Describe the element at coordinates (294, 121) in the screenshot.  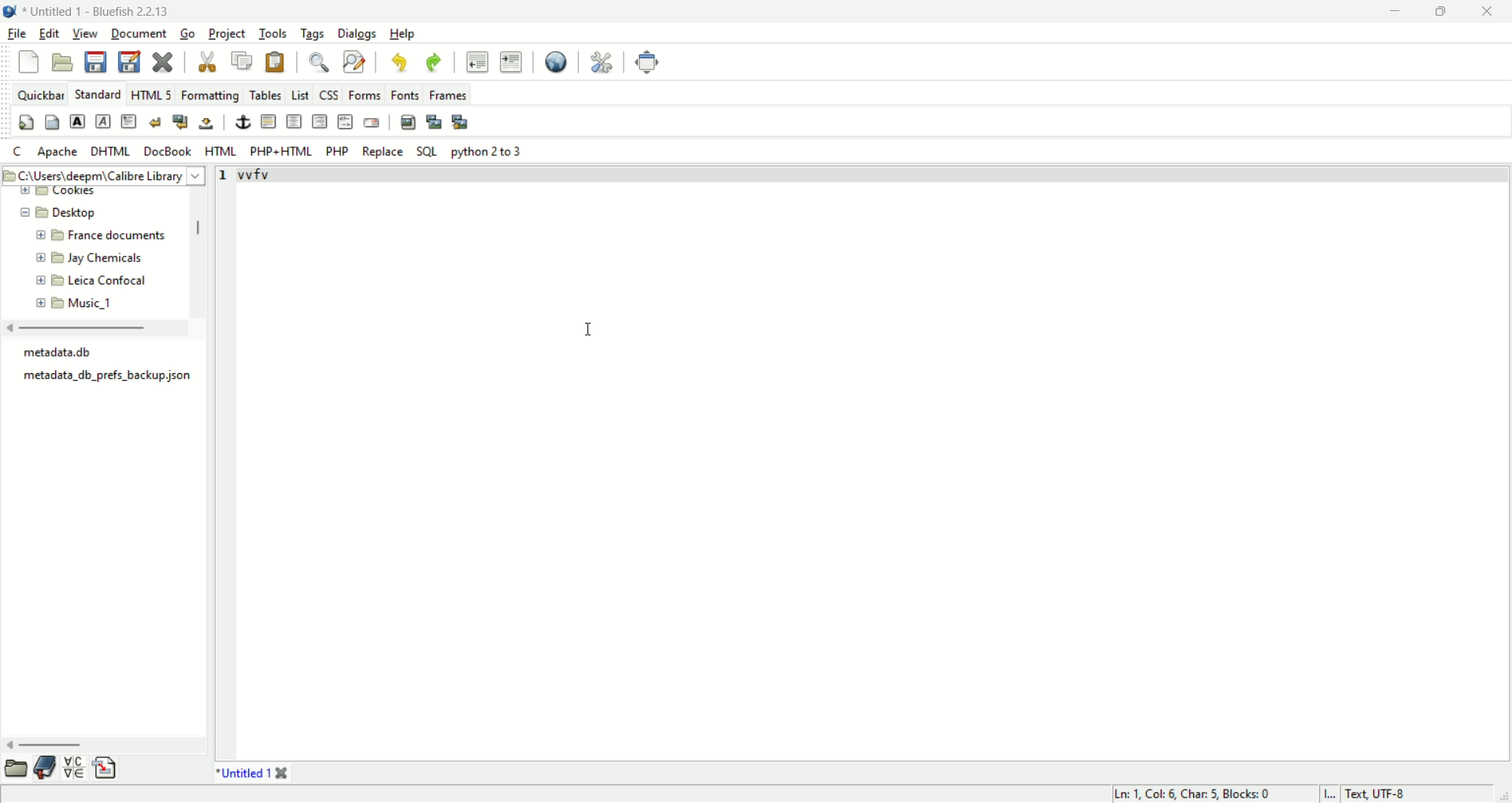
I see `center` at that location.